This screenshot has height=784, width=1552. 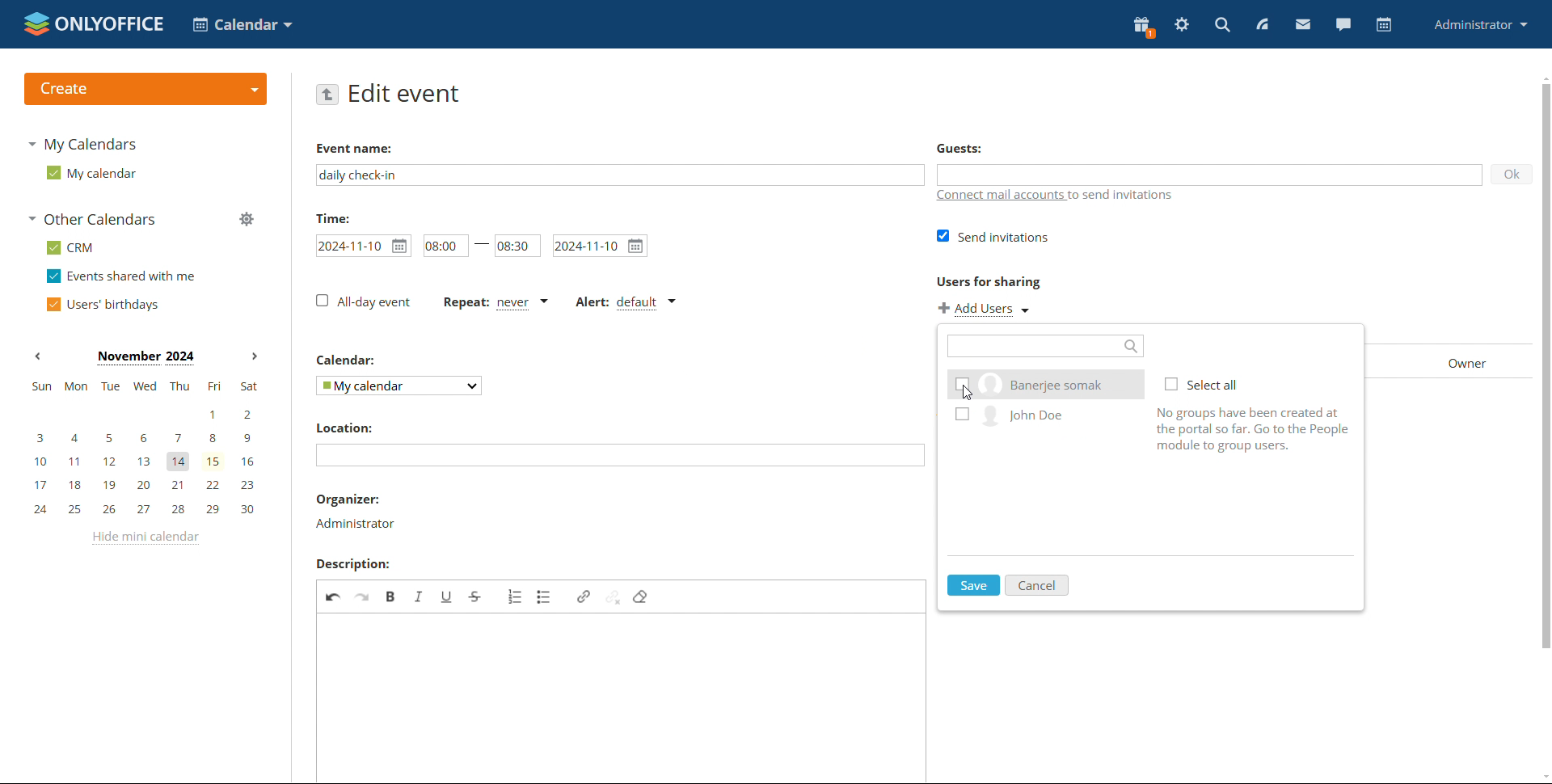 I want to click on -, so click(x=479, y=242).